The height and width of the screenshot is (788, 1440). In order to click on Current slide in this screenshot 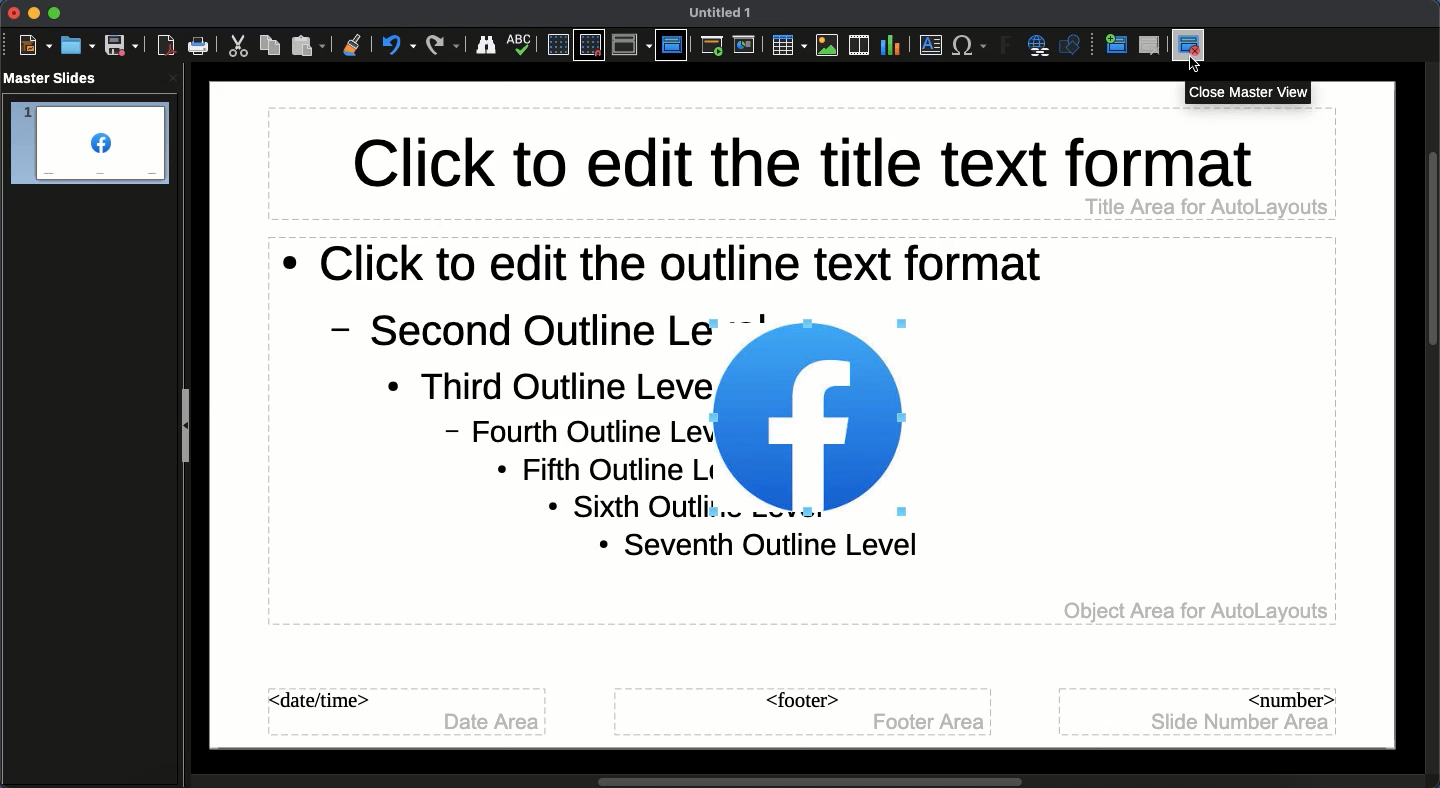, I will do `click(746, 48)`.